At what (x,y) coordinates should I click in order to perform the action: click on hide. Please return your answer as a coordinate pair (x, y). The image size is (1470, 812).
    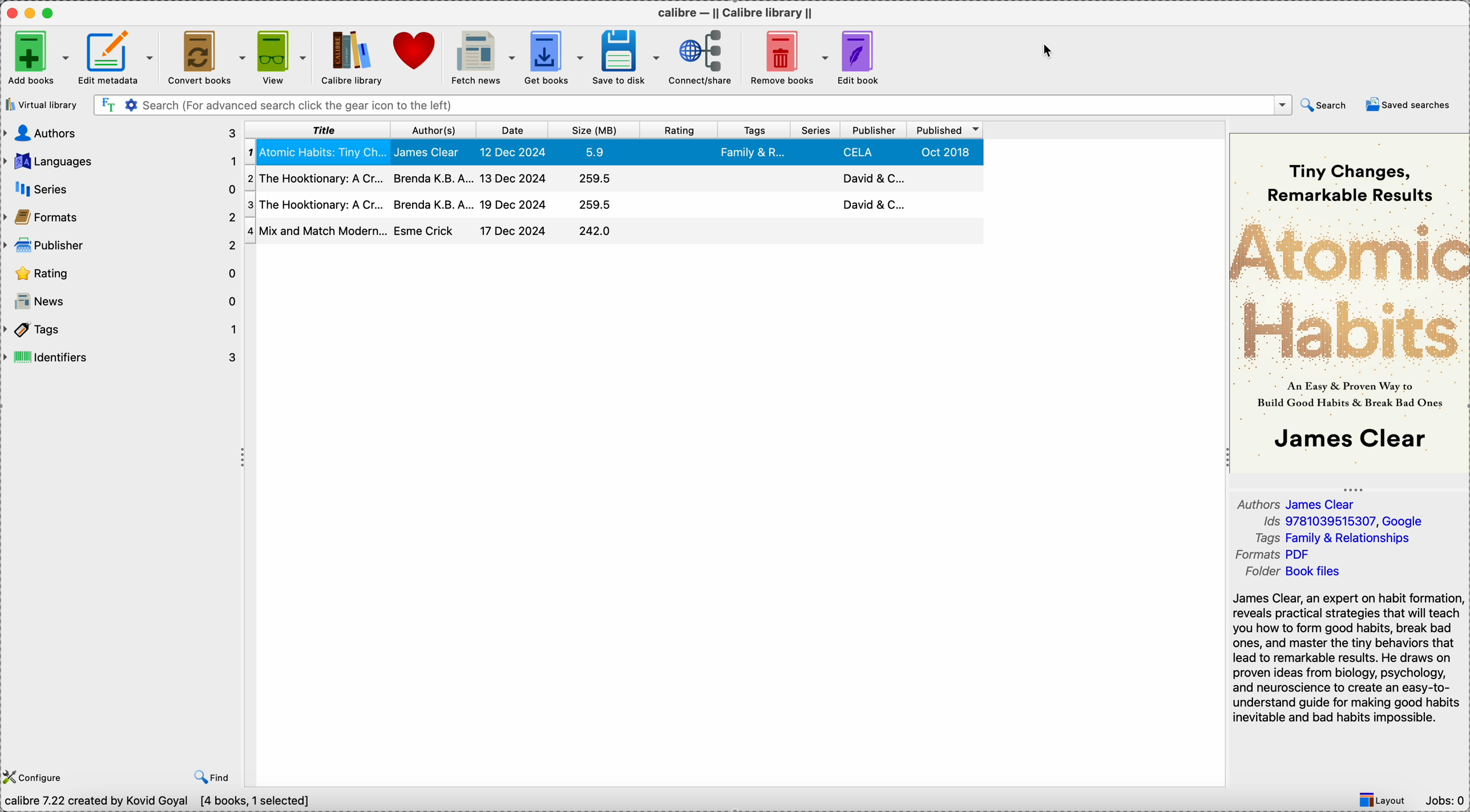
    Looking at the image, I should click on (244, 462).